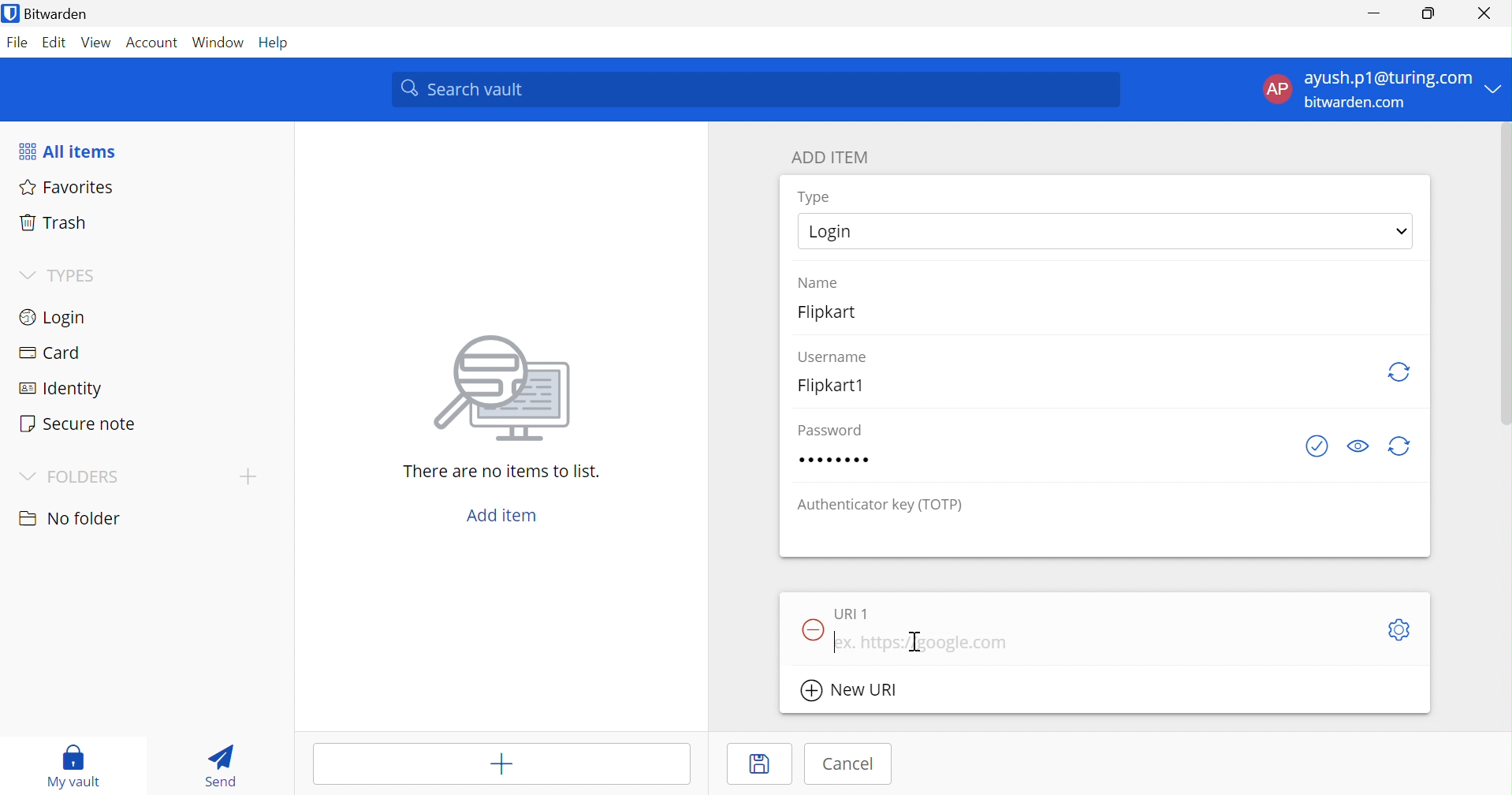  What do you see at coordinates (1397, 629) in the screenshot?
I see `Toggleoptions` at bounding box center [1397, 629].